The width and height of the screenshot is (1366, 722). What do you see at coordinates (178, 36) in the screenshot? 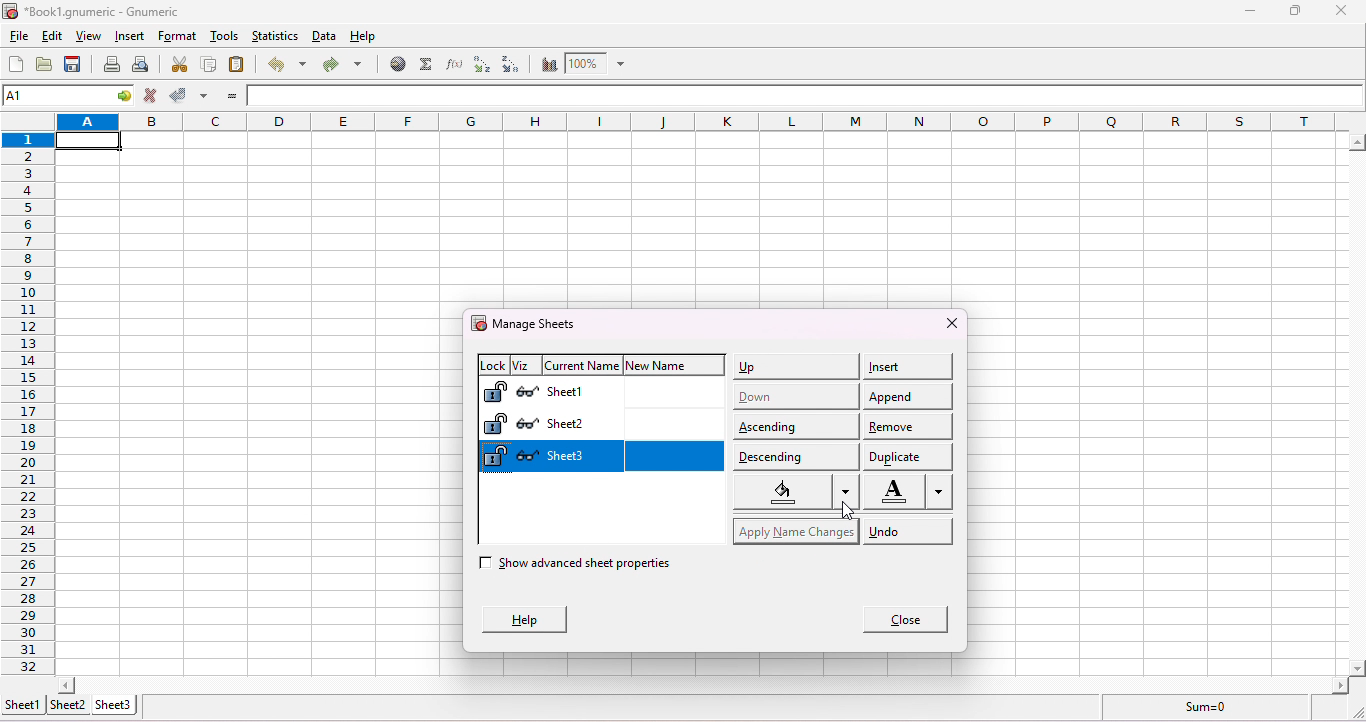
I see `format` at bounding box center [178, 36].